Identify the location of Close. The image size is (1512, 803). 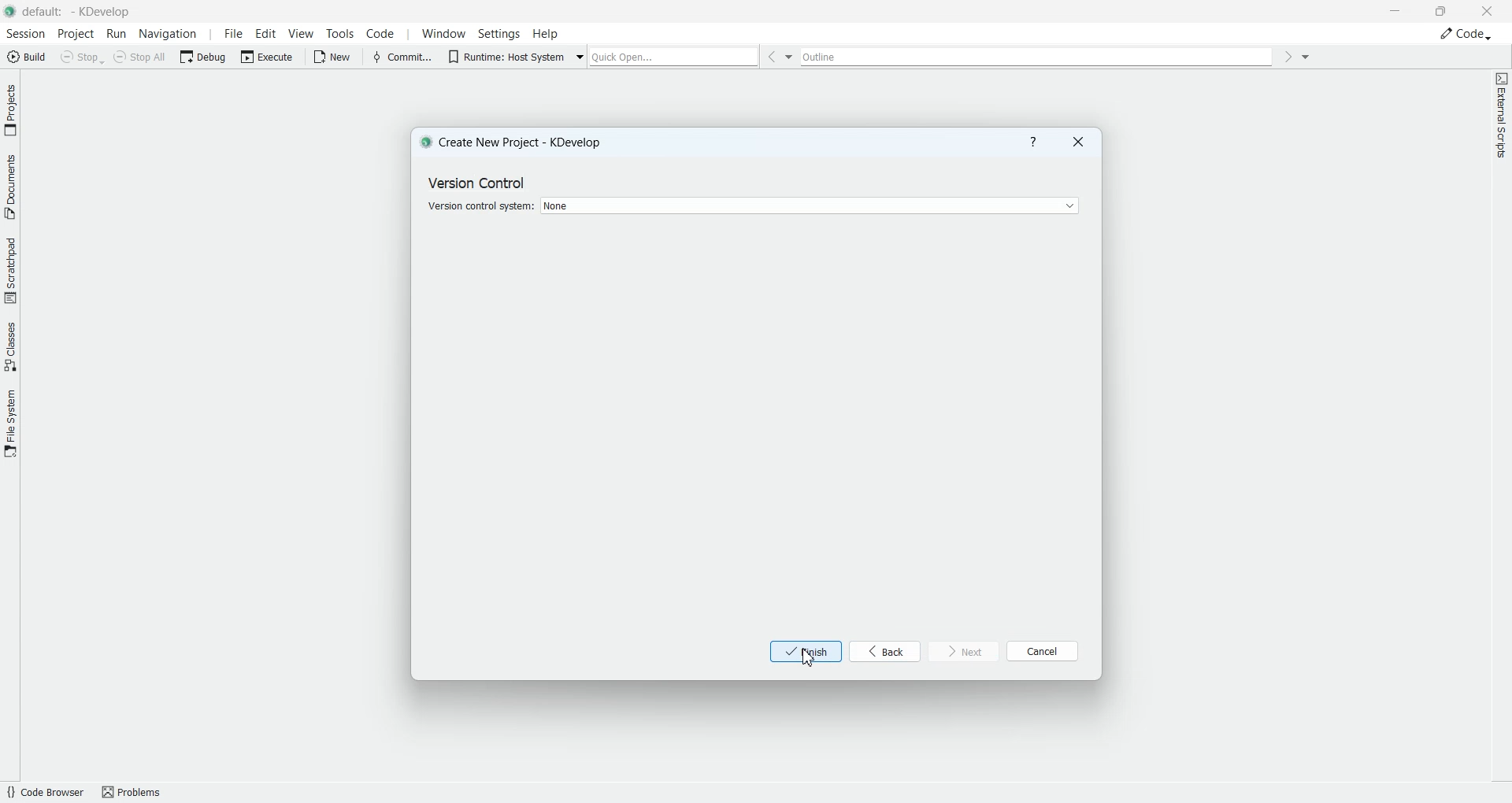
(1487, 10).